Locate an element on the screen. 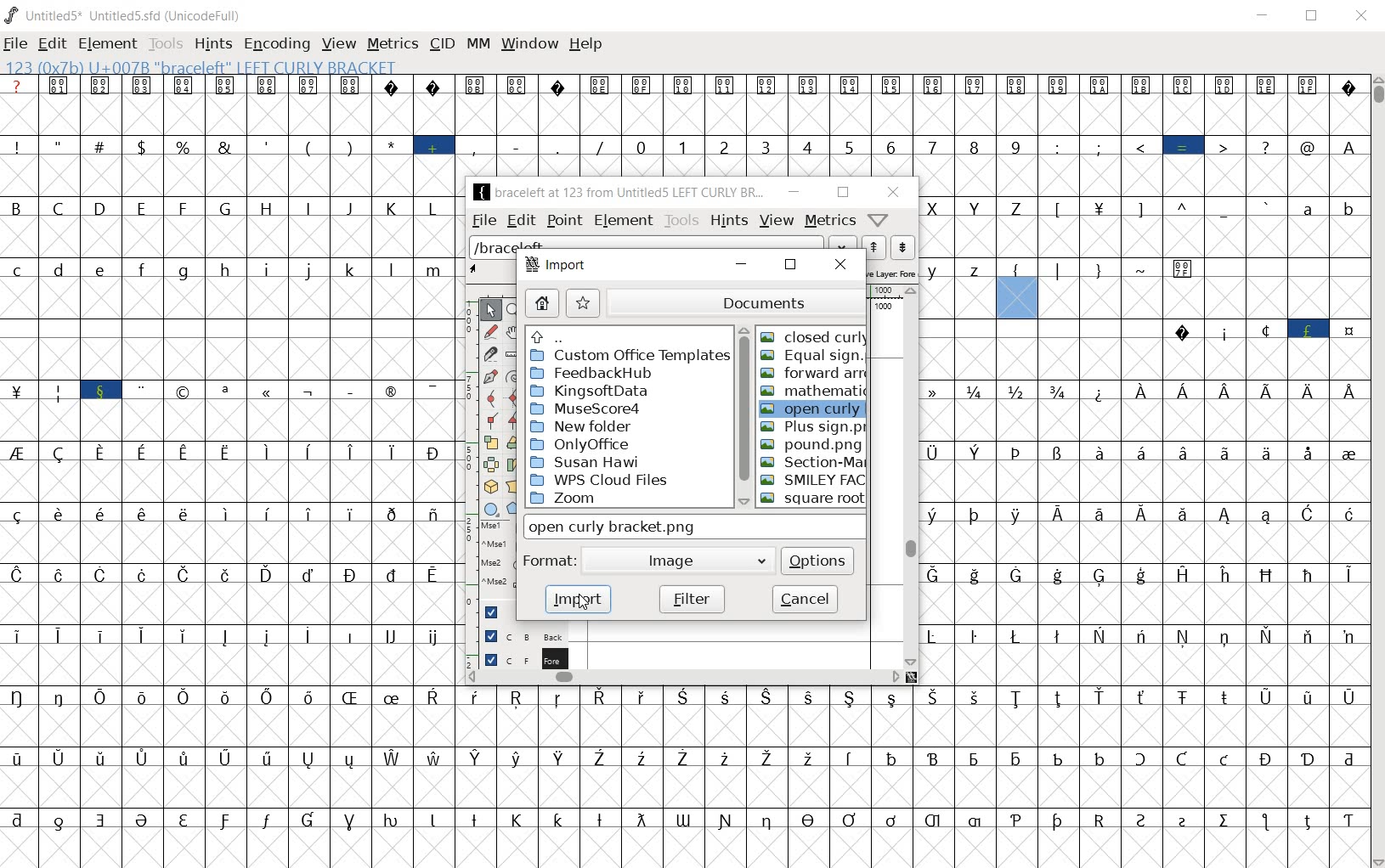 The width and height of the screenshot is (1385, 868). square root is located at coordinates (813, 499).